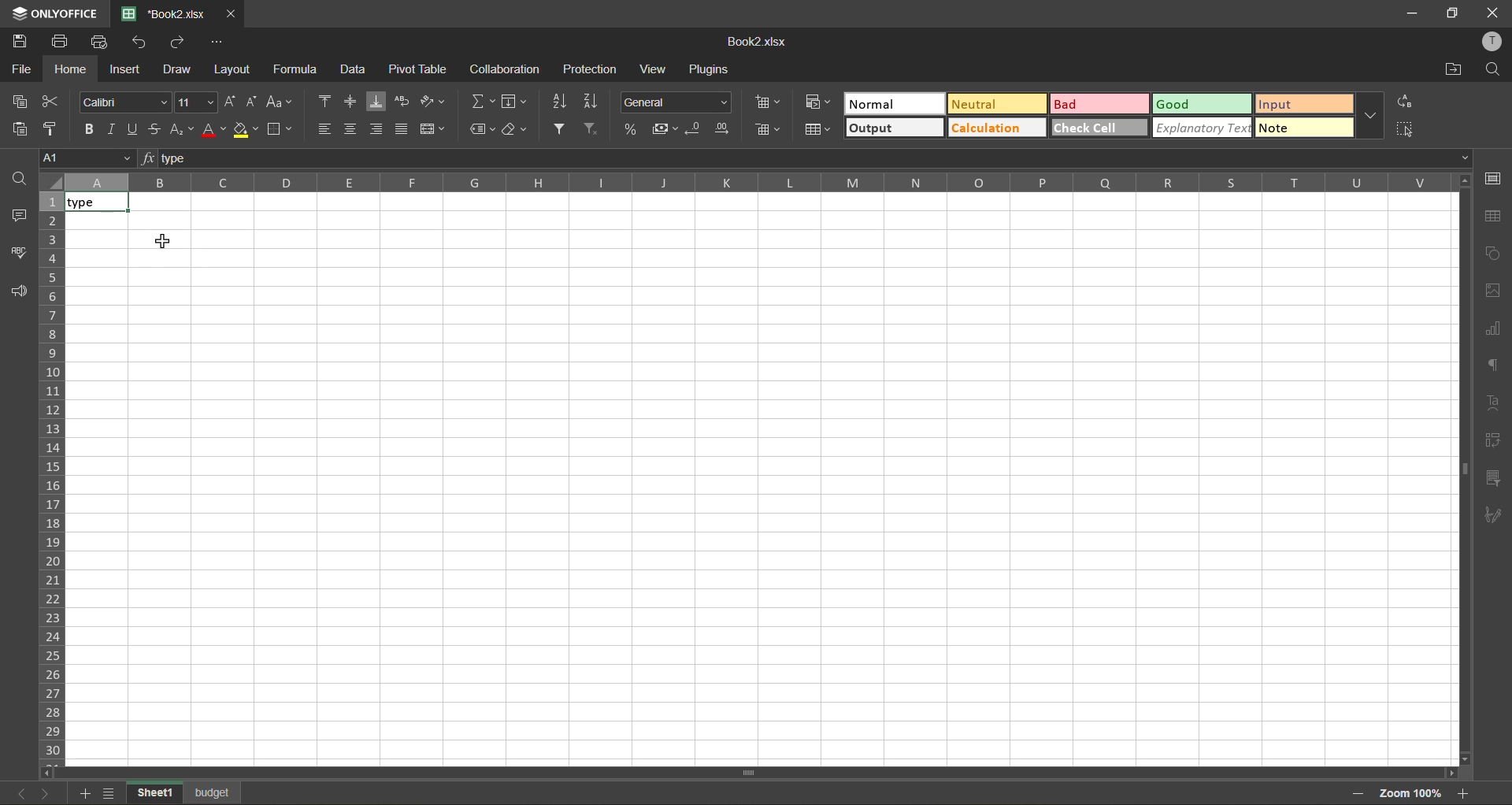  Describe the element at coordinates (591, 101) in the screenshot. I see `sort descending` at that location.